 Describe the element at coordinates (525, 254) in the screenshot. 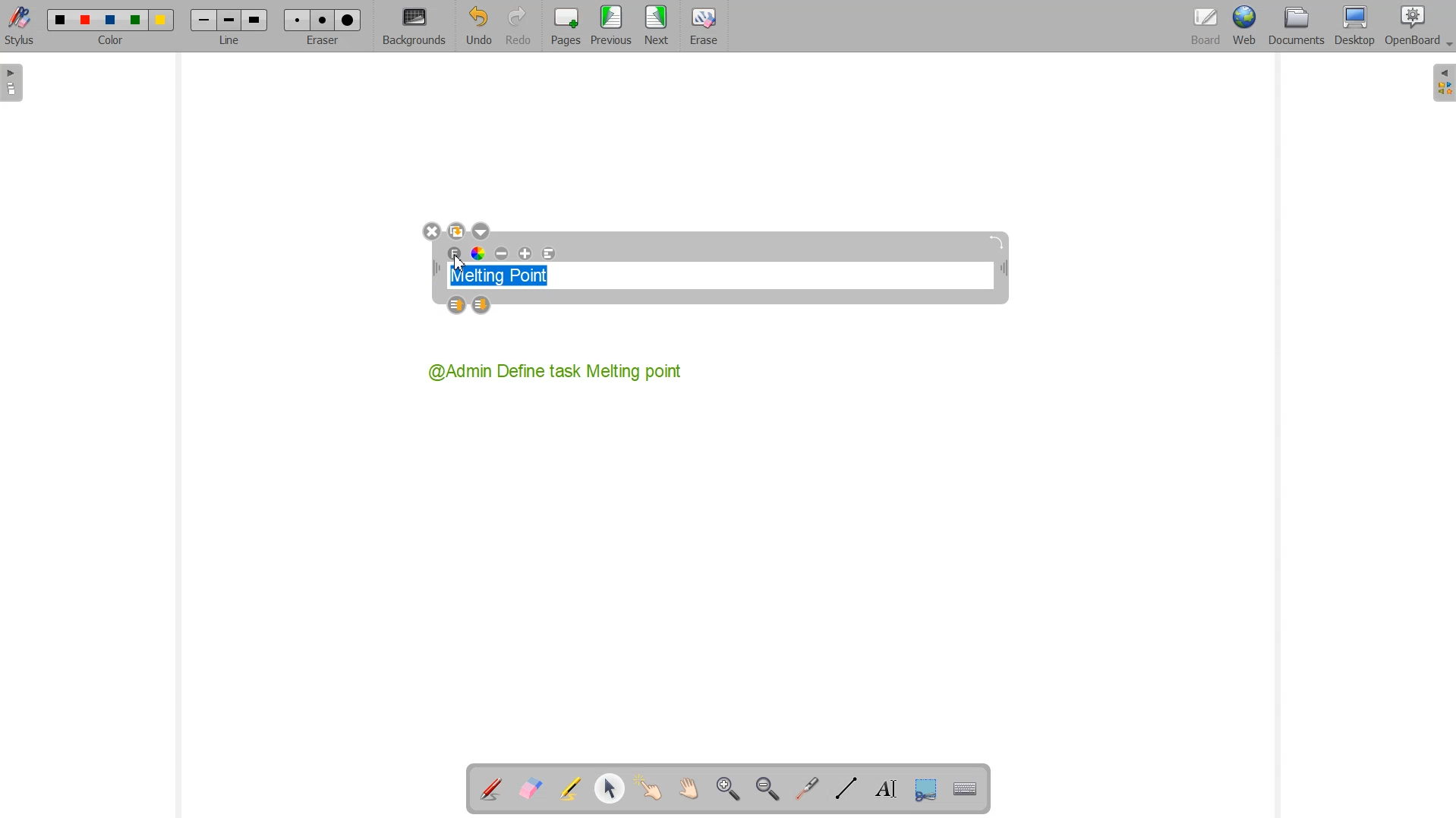

I see `Maximize text size` at that location.